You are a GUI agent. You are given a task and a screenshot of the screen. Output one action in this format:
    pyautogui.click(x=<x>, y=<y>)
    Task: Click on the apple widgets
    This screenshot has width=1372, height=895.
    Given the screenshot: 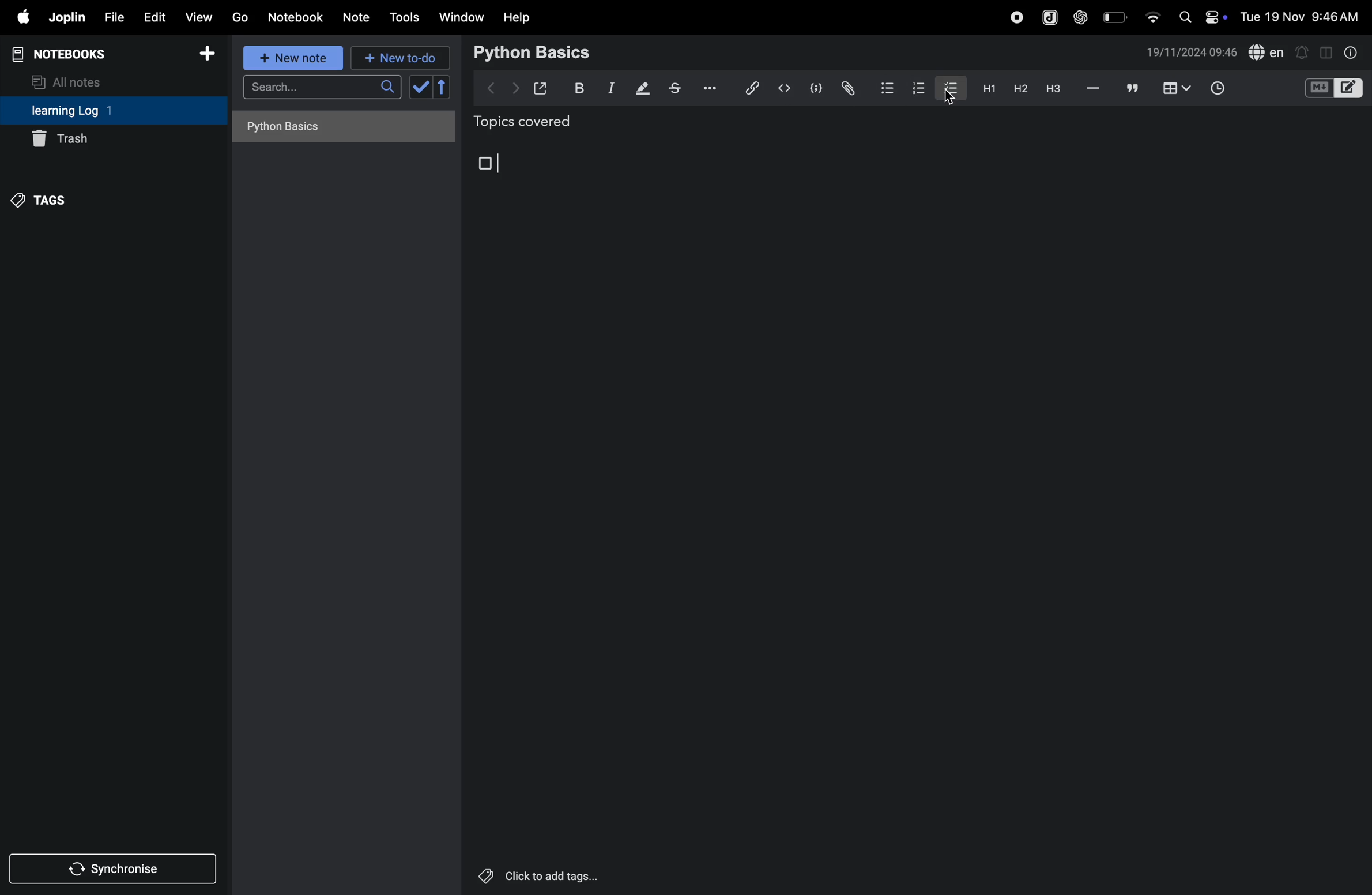 What is the action you would take?
    pyautogui.click(x=1200, y=16)
    